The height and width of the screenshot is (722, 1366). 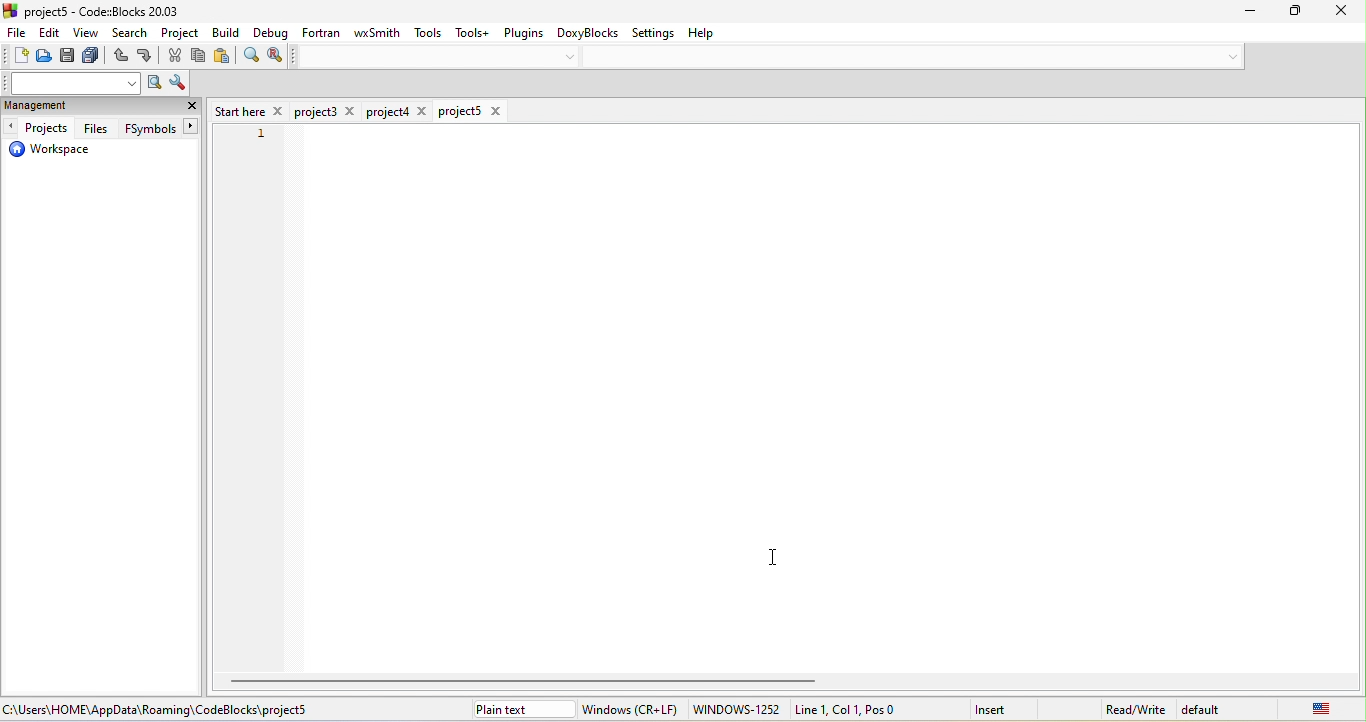 I want to click on file, so click(x=16, y=35).